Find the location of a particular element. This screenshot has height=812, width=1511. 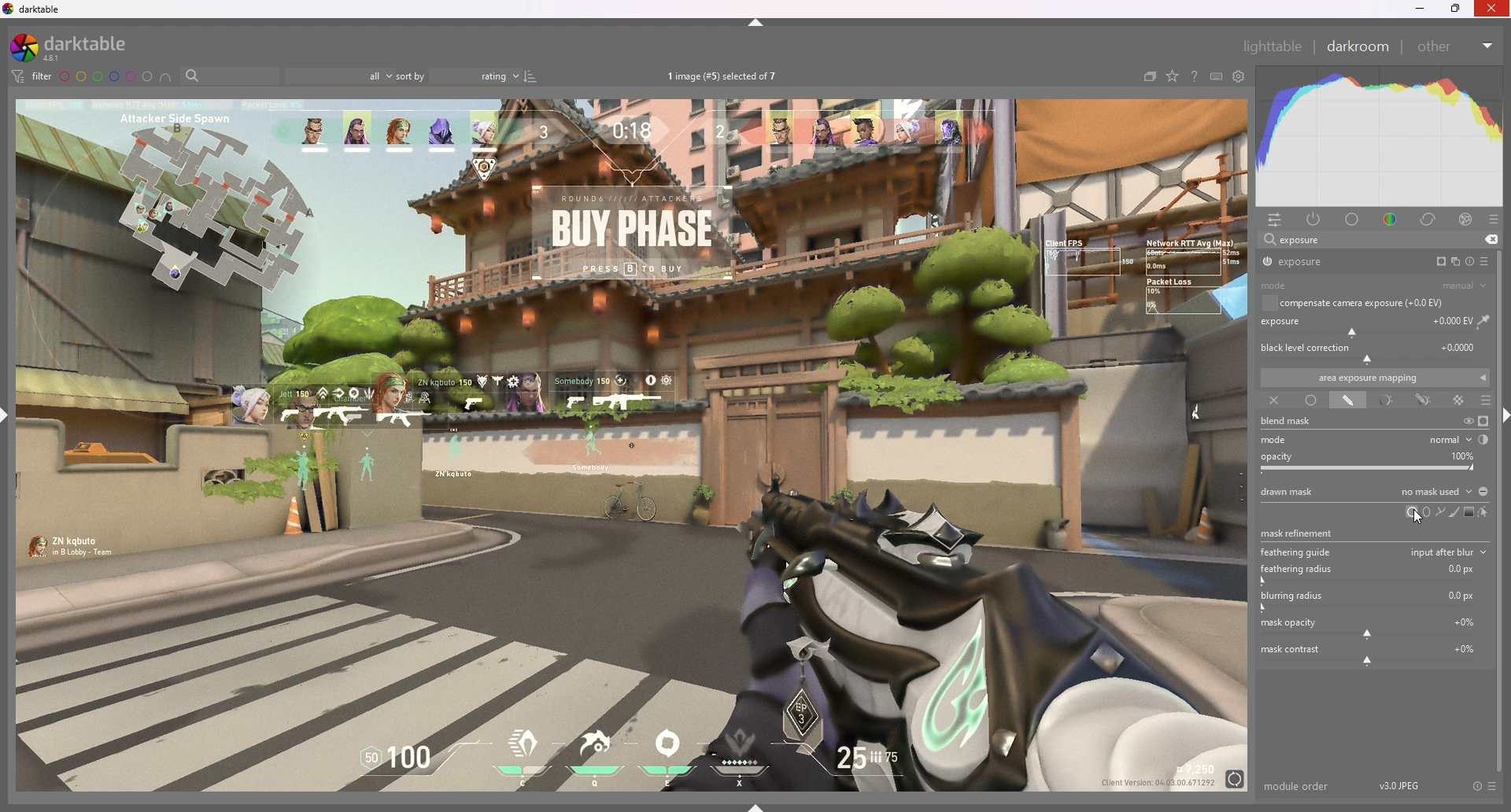

mode is located at coordinates (1374, 286).